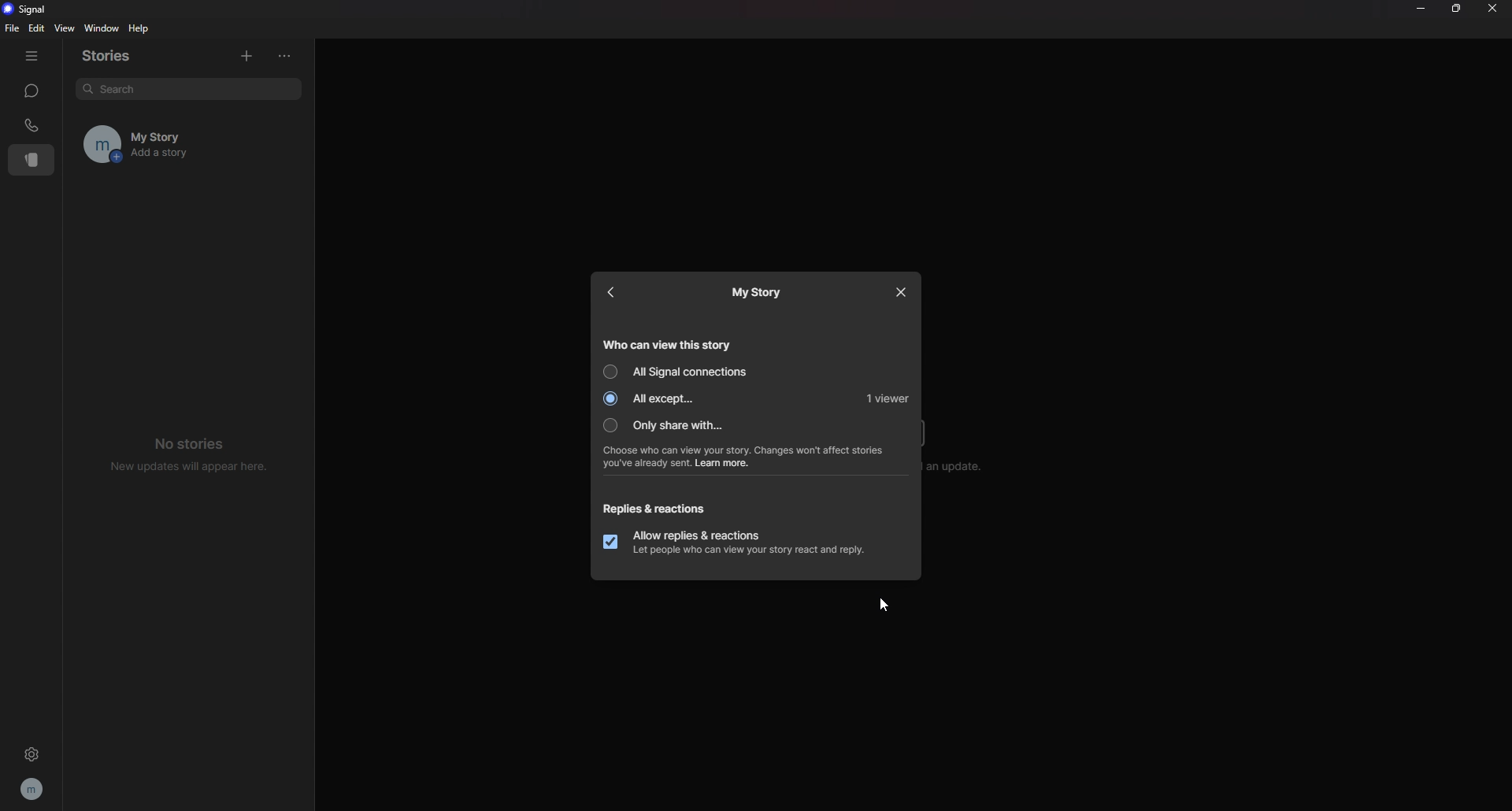 The width and height of the screenshot is (1512, 811). What do you see at coordinates (117, 56) in the screenshot?
I see `stories` at bounding box center [117, 56].